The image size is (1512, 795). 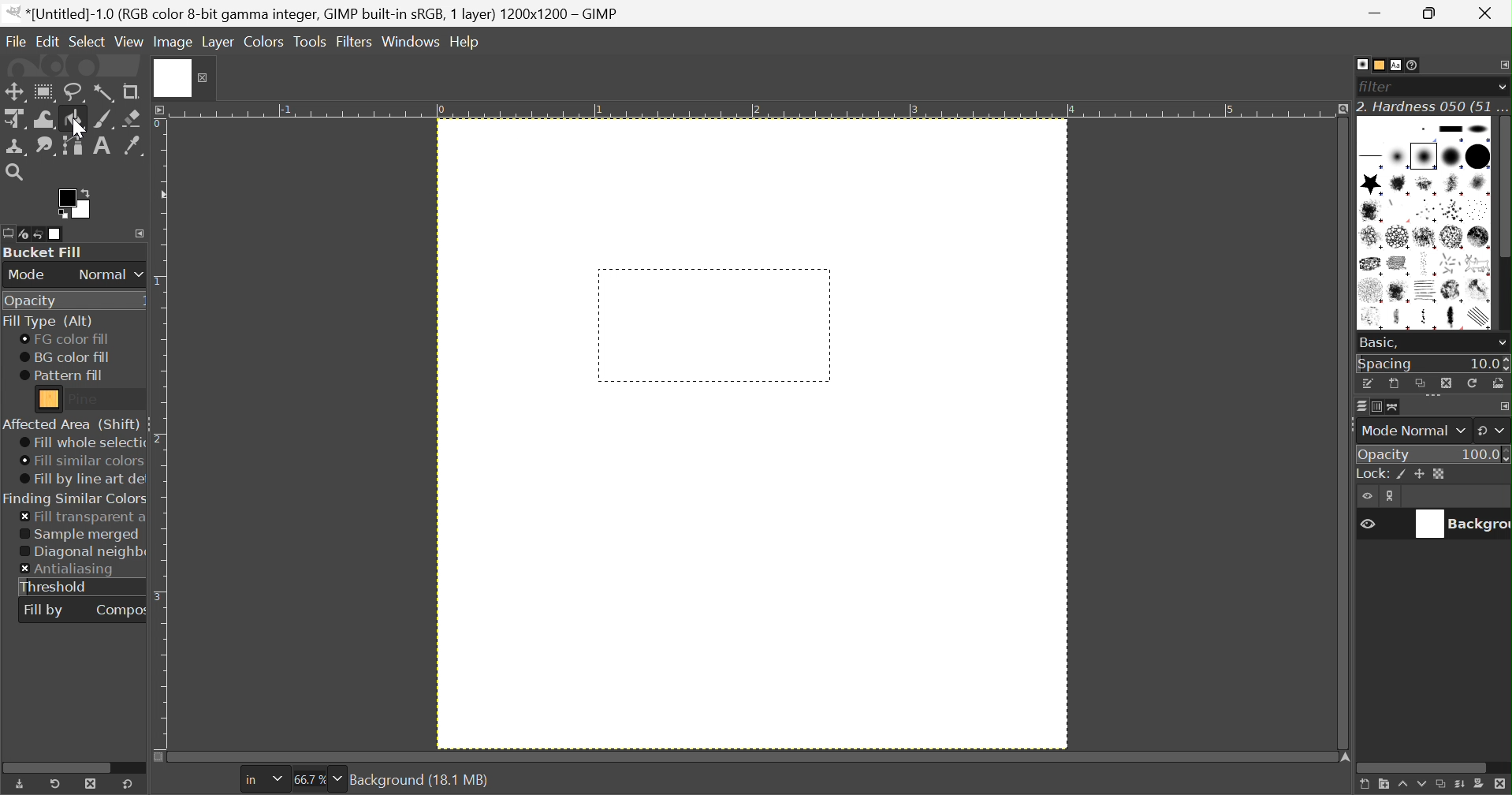 What do you see at coordinates (410, 43) in the screenshot?
I see `Windows` at bounding box center [410, 43].